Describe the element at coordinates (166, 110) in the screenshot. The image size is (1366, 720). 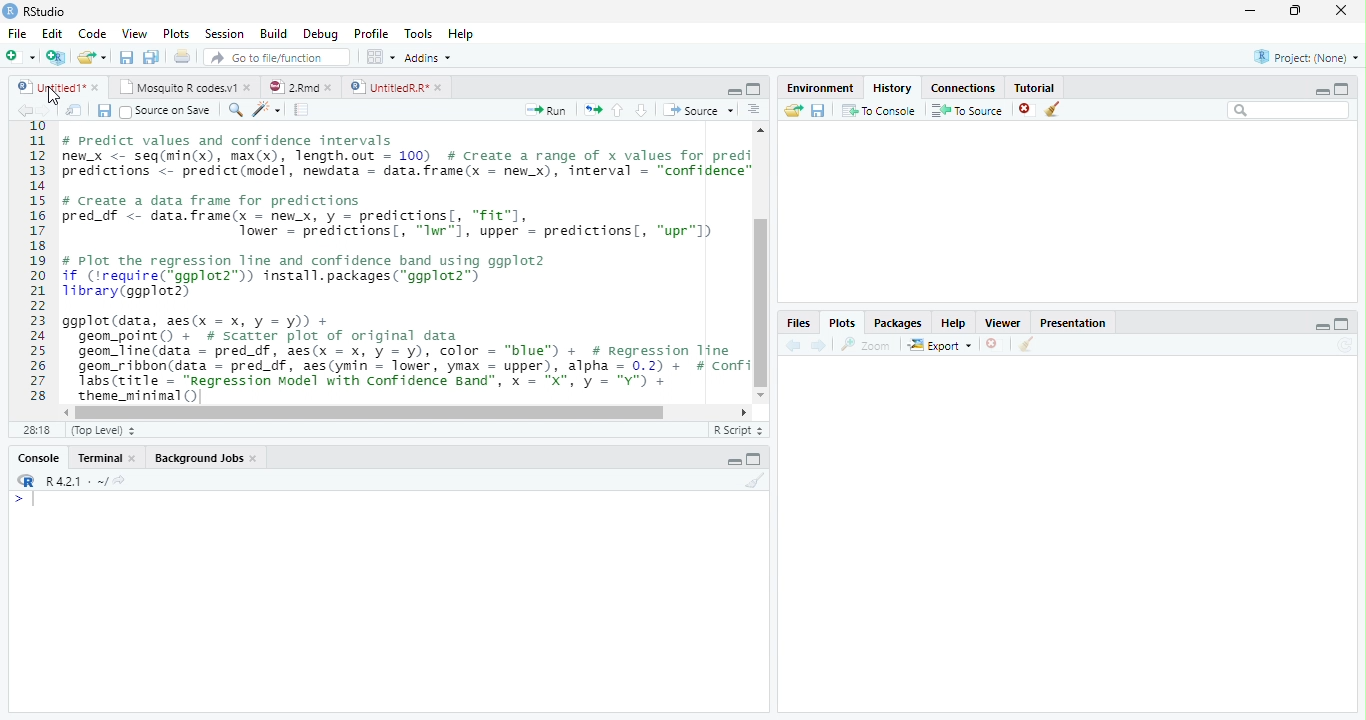
I see `Source on save` at that location.